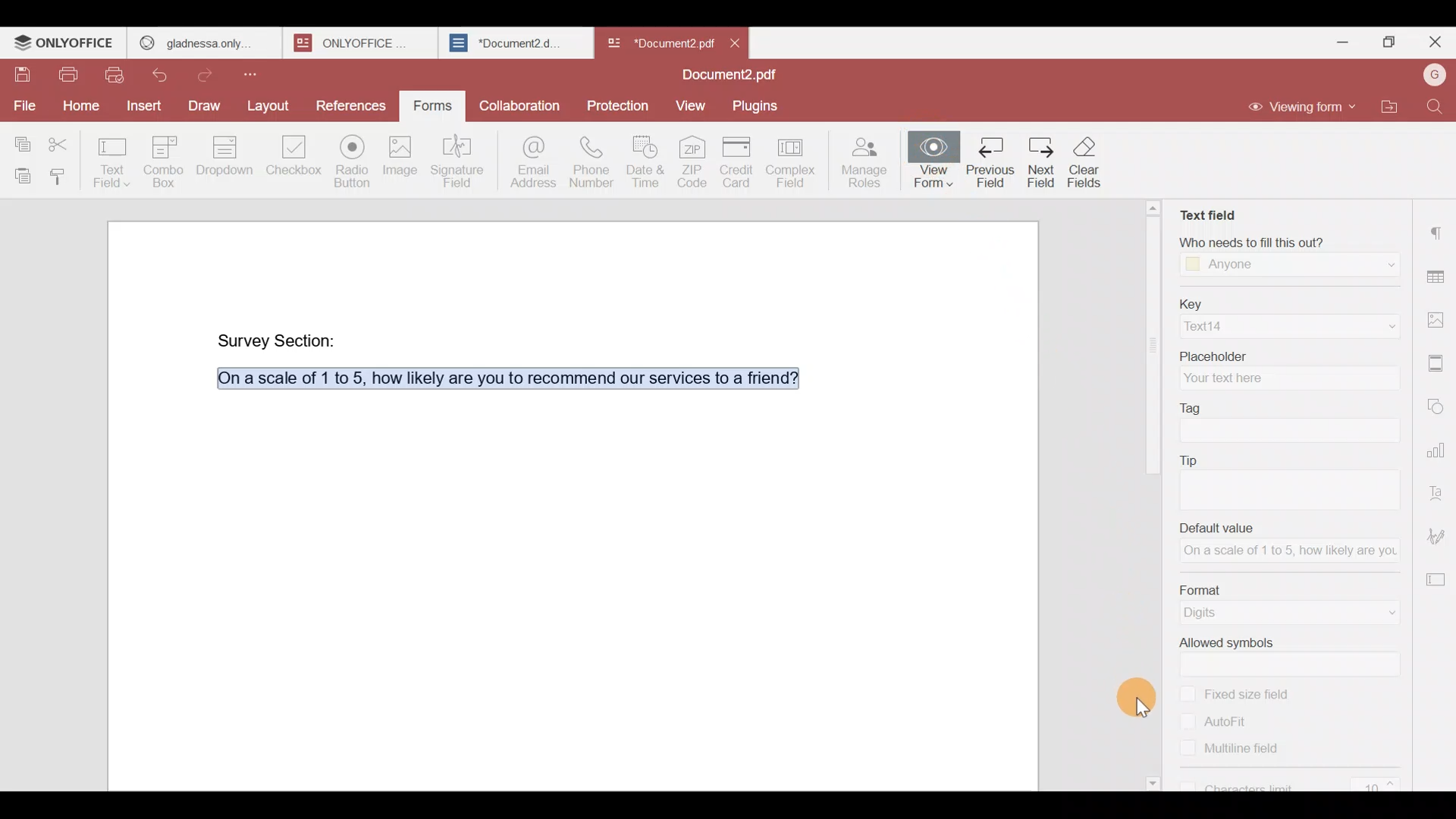  I want to click on Text field, so click(1207, 212).